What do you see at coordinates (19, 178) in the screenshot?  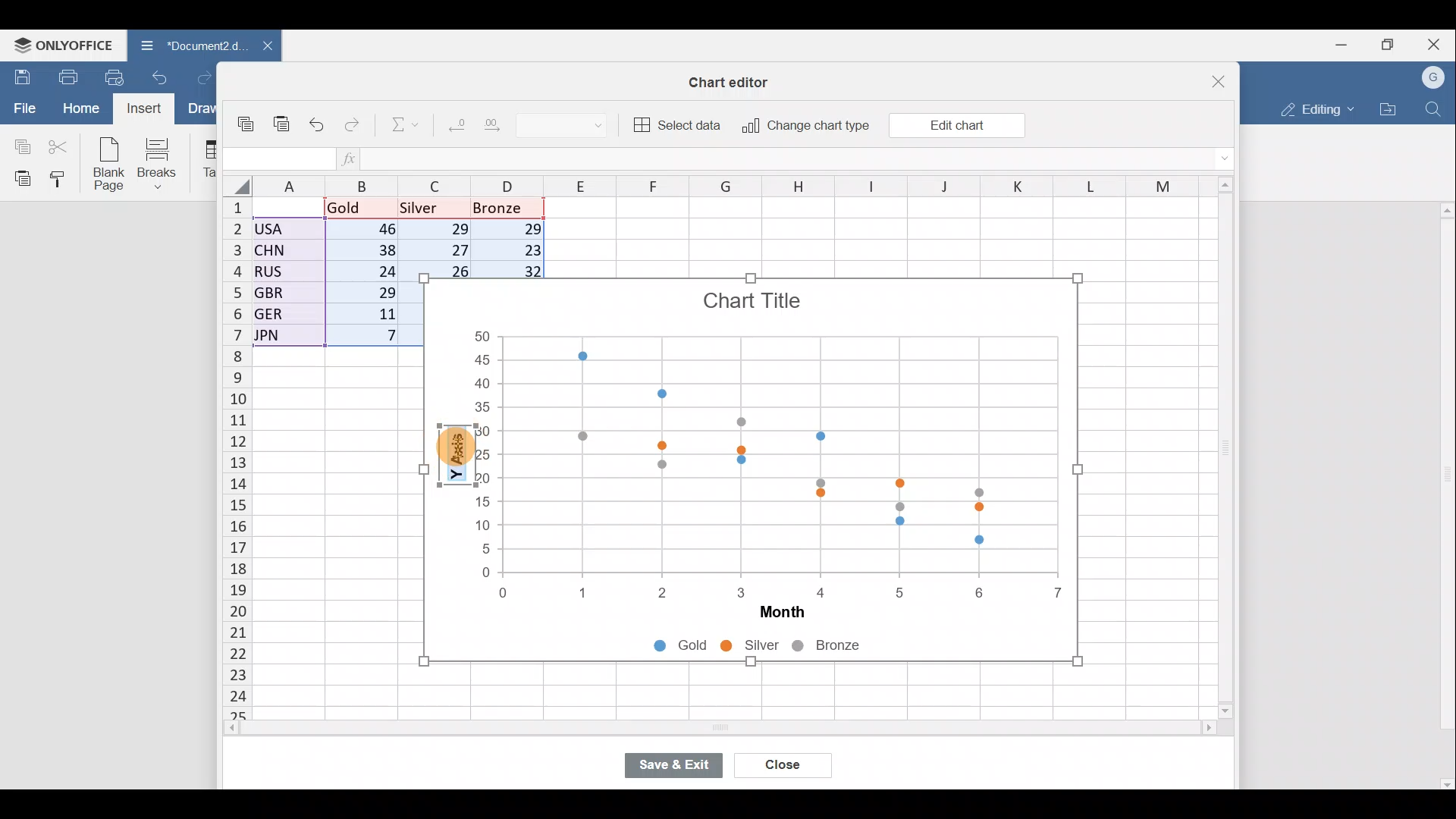 I see `Paste` at bounding box center [19, 178].